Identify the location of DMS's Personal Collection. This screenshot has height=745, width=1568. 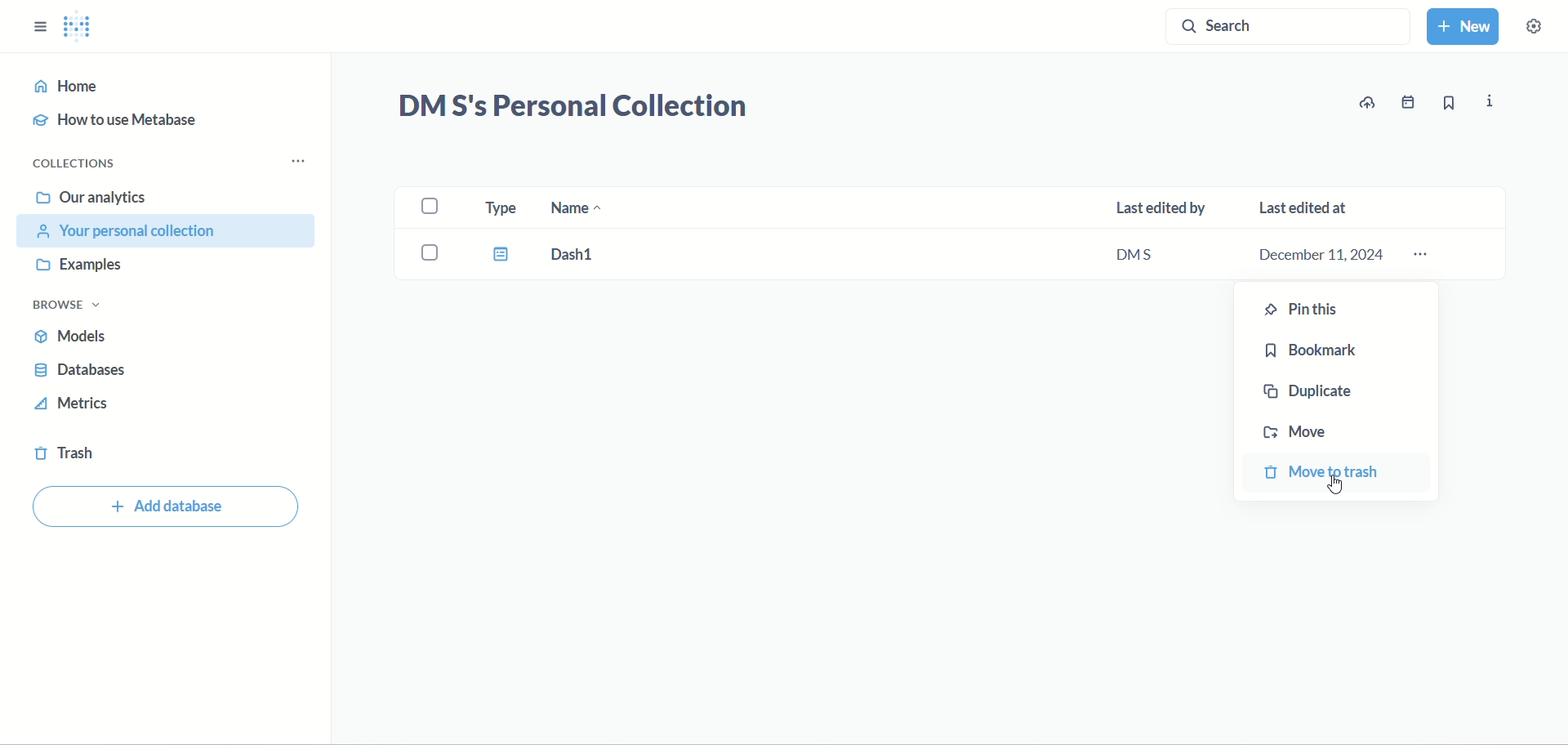
(572, 108).